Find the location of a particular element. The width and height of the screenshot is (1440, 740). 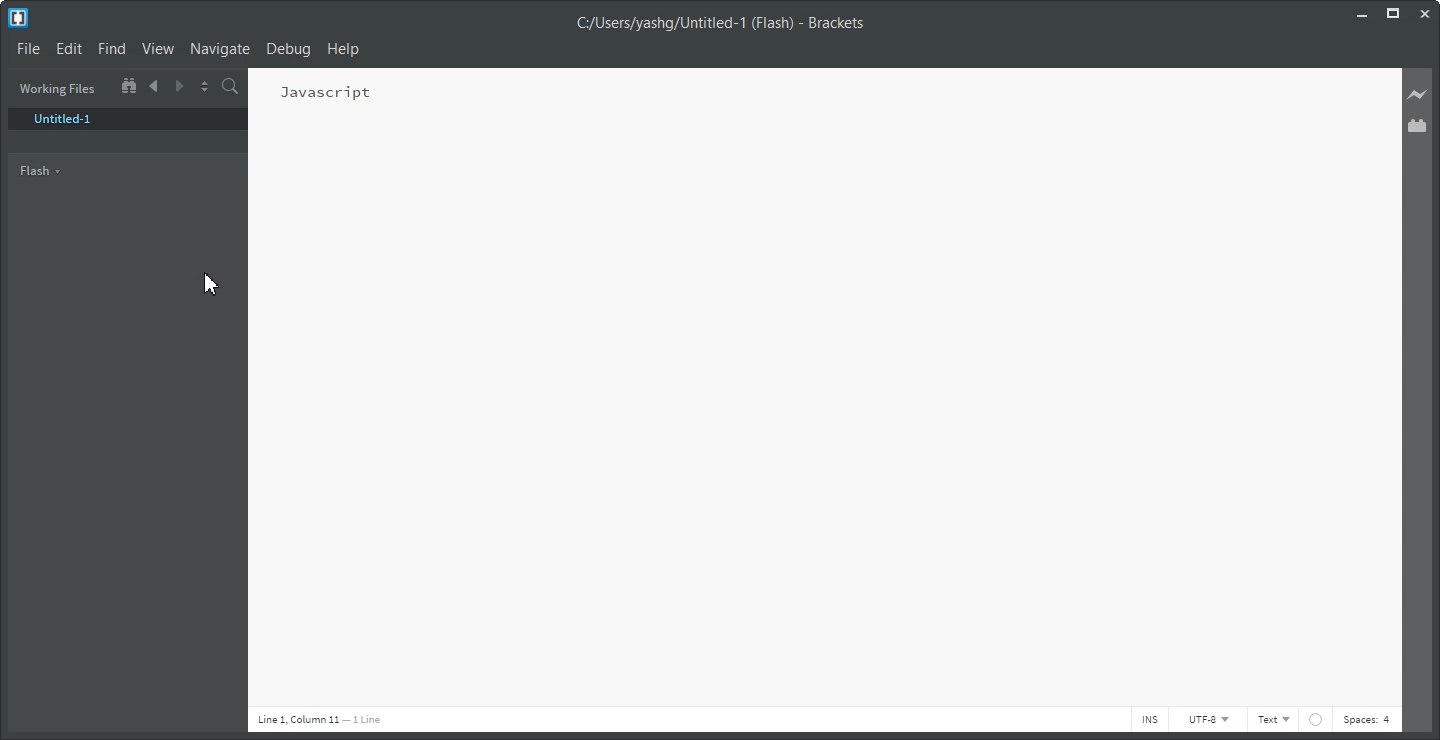

line 1 column 11 - 1 line is located at coordinates (324, 718).